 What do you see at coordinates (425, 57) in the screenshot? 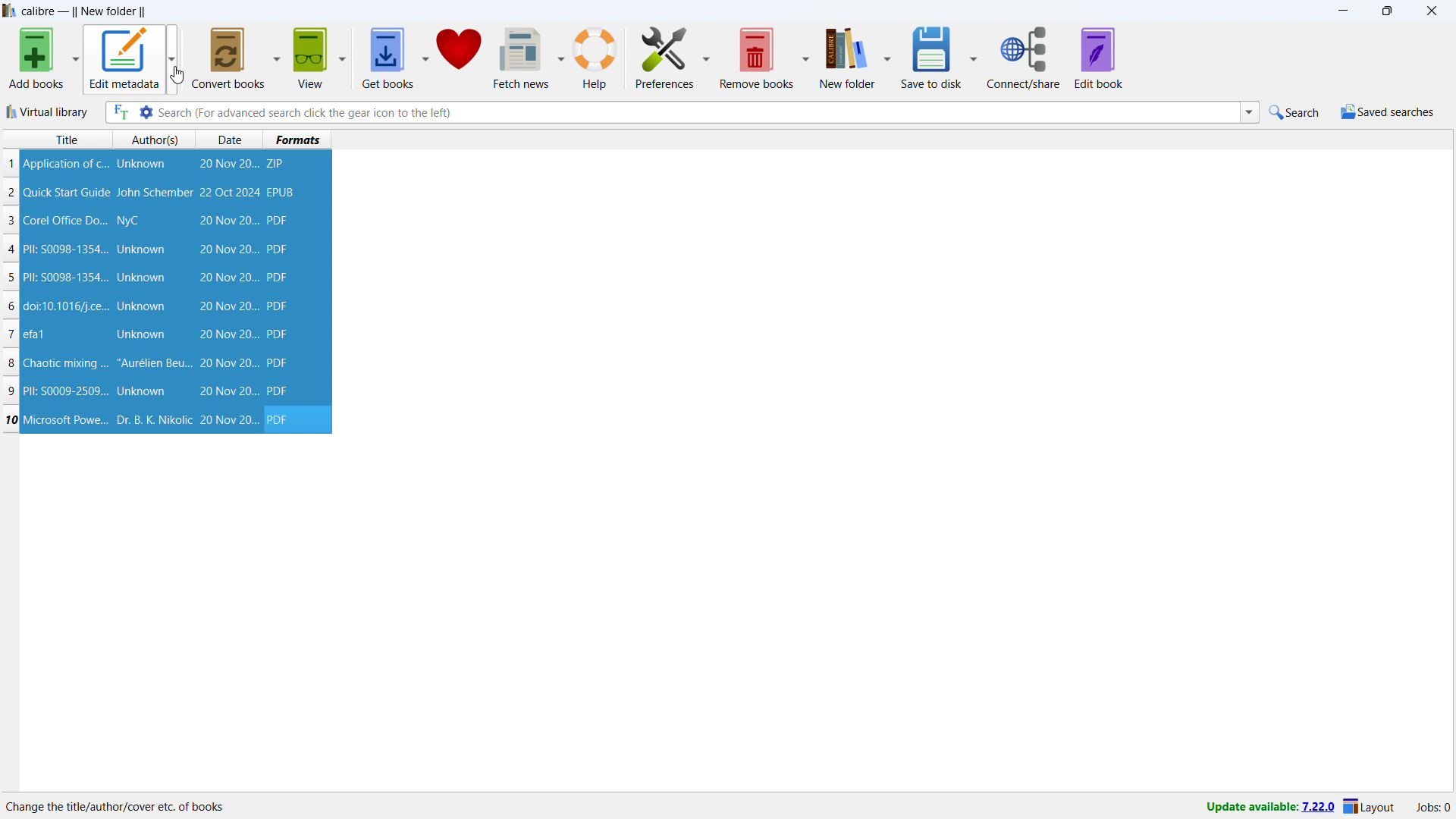
I see `get books options` at bounding box center [425, 57].